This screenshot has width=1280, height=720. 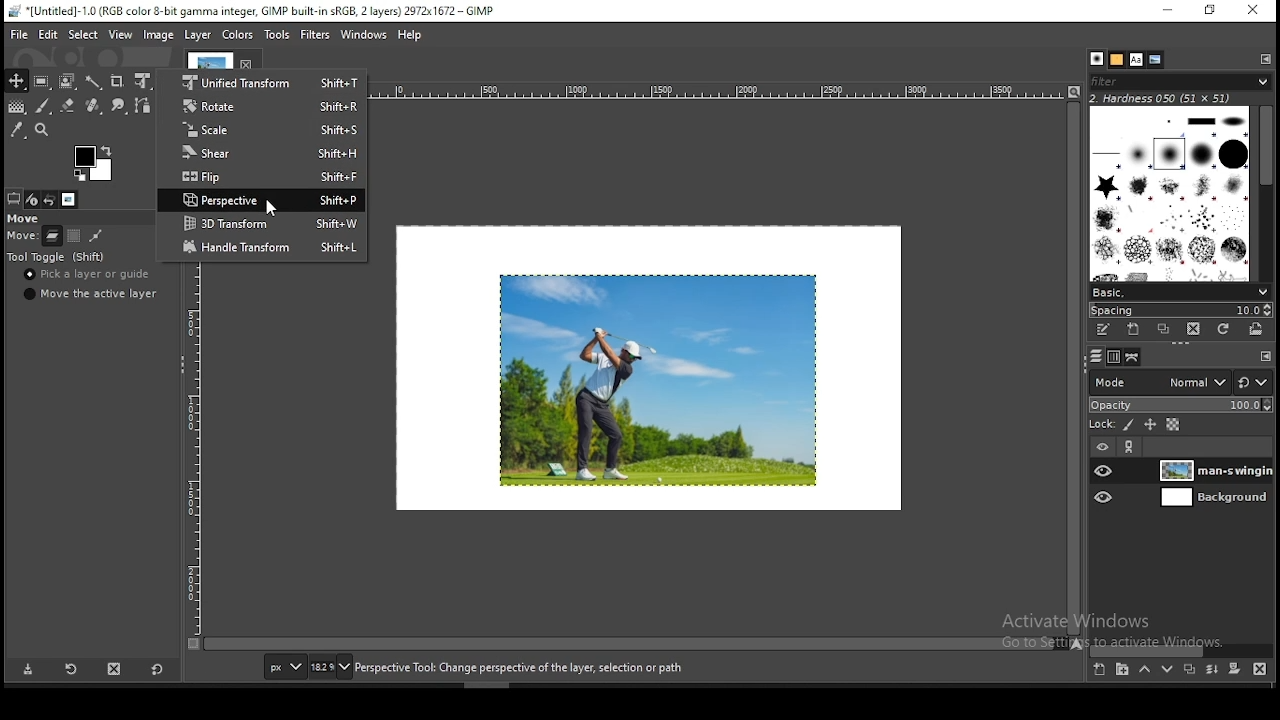 I want to click on save tool preset, so click(x=28, y=670).